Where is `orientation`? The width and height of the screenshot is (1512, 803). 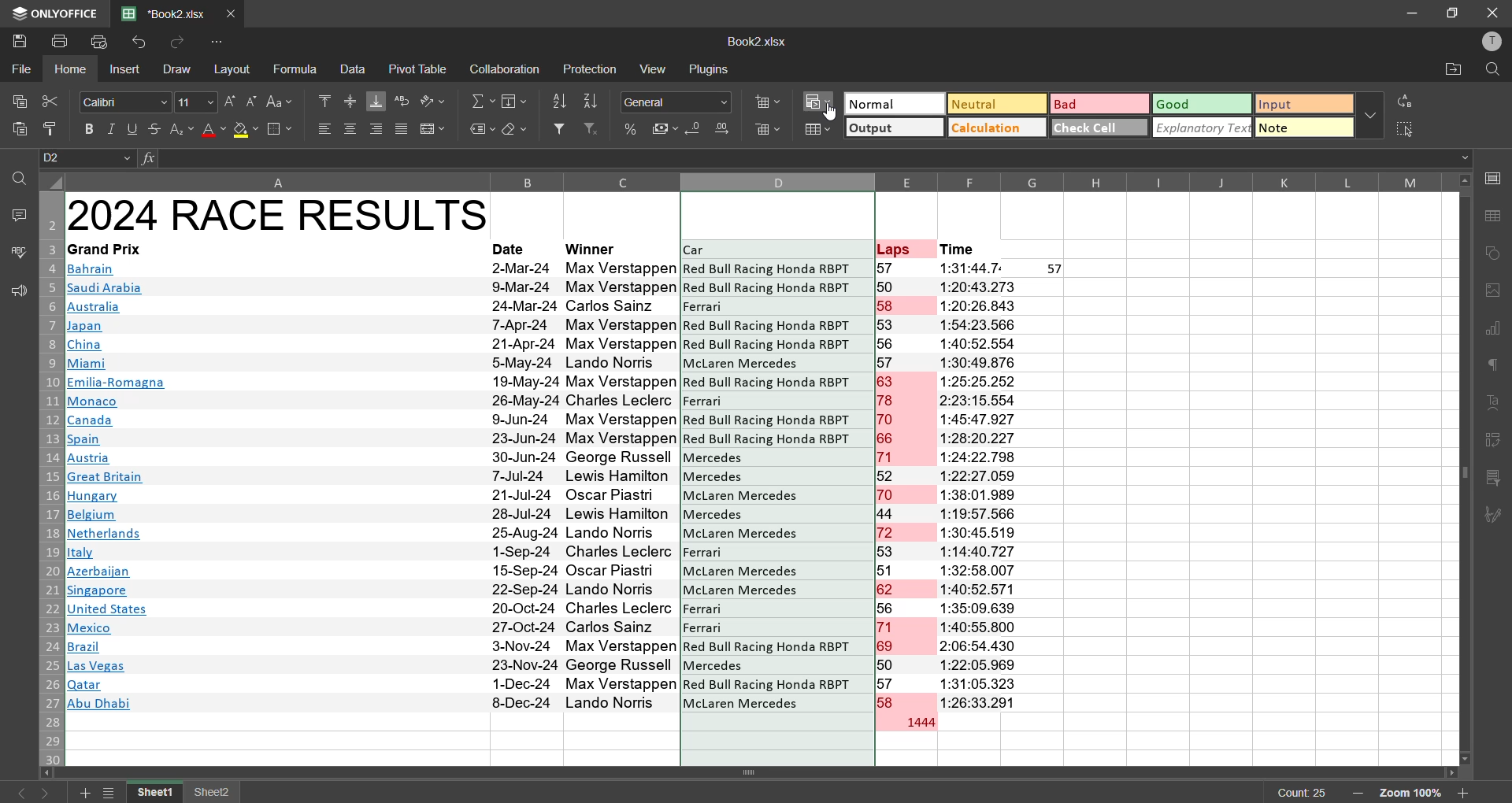 orientation is located at coordinates (432, 101).